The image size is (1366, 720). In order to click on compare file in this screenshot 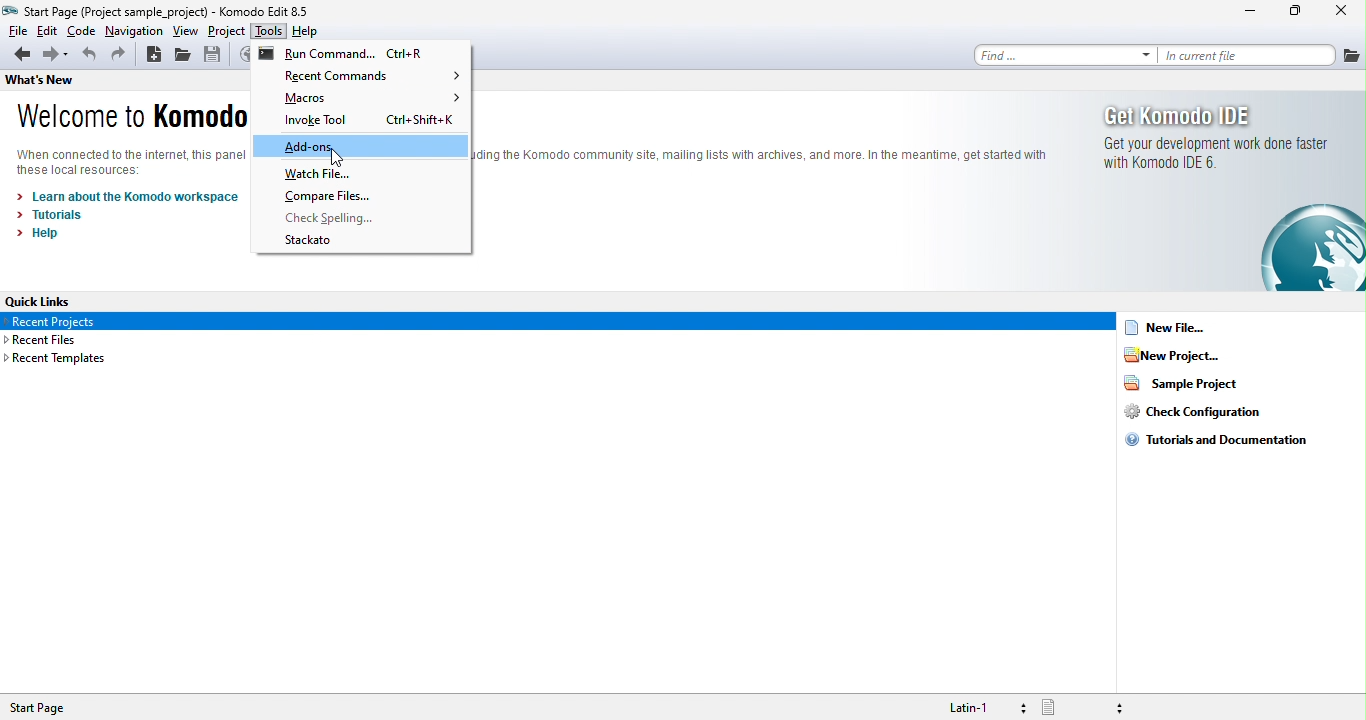, I will do `click(332, 196)`.